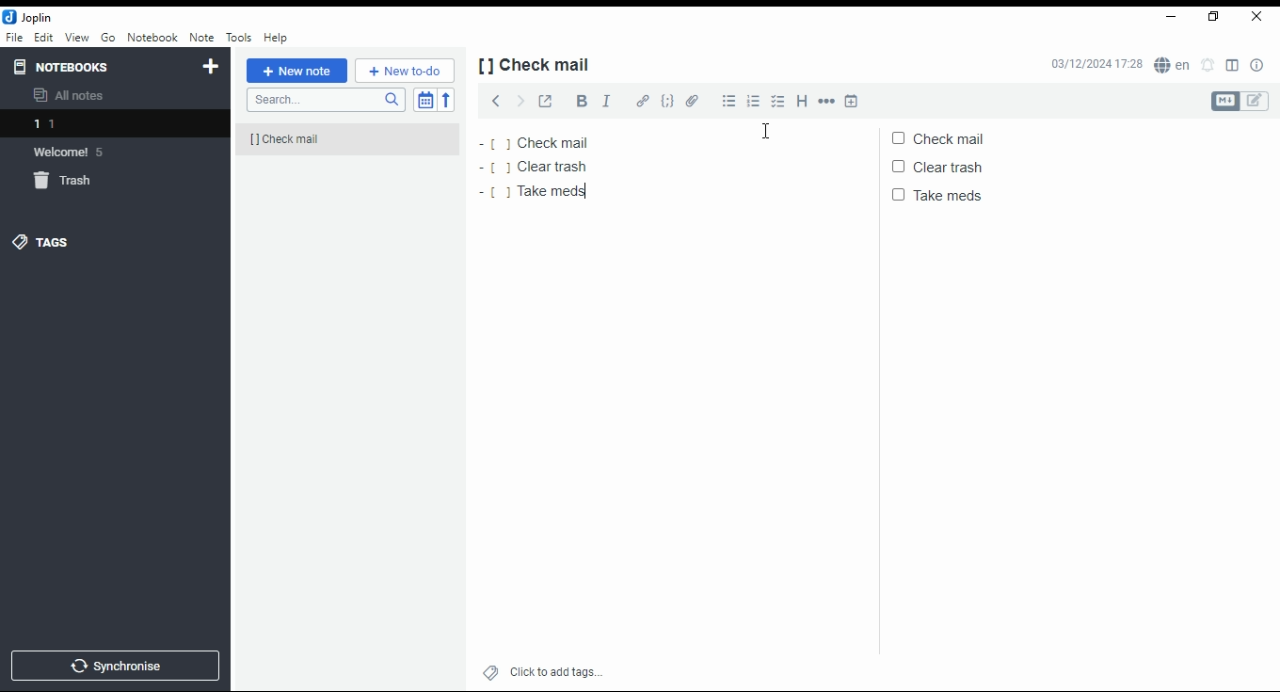 The height and width of the screenshot is (692, 1280). What do you see at coordinates (1170, 16) in the screenshot?
I see `minimize` at bounding box center [1170, 16].